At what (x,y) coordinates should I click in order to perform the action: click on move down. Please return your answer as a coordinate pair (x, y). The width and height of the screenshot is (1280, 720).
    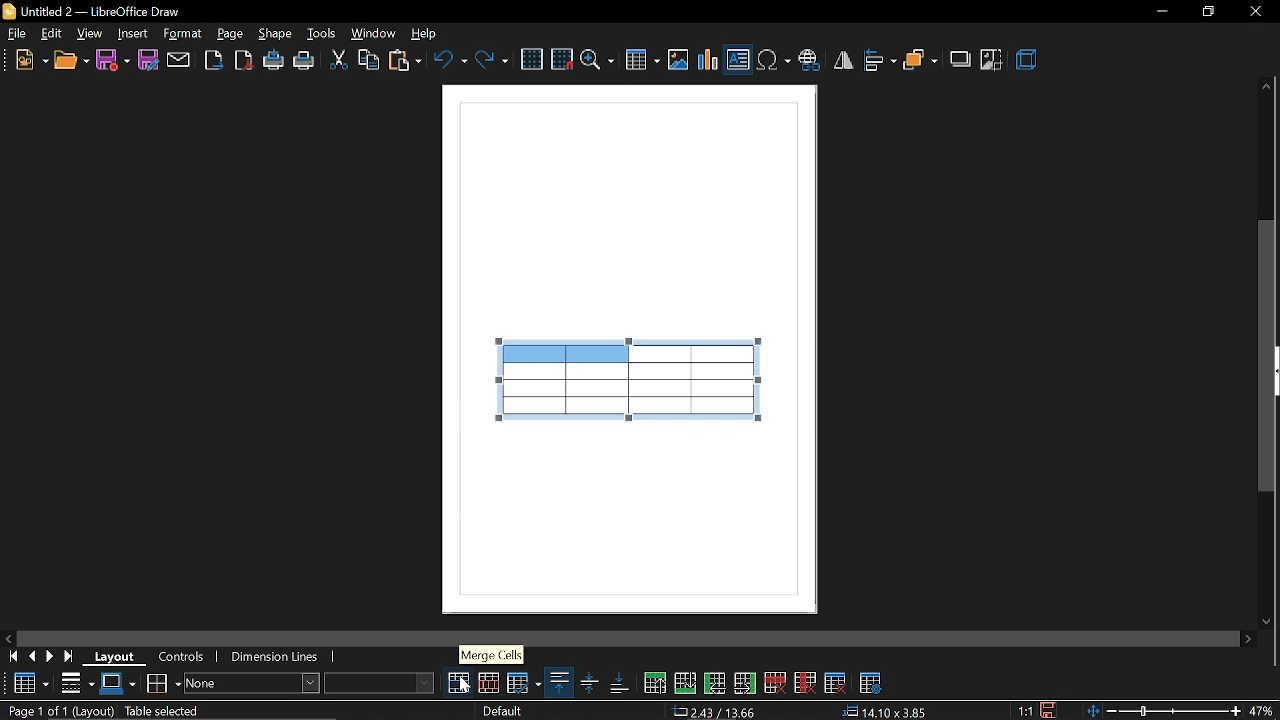
    Looking at the image, I should click on (1265, 620).